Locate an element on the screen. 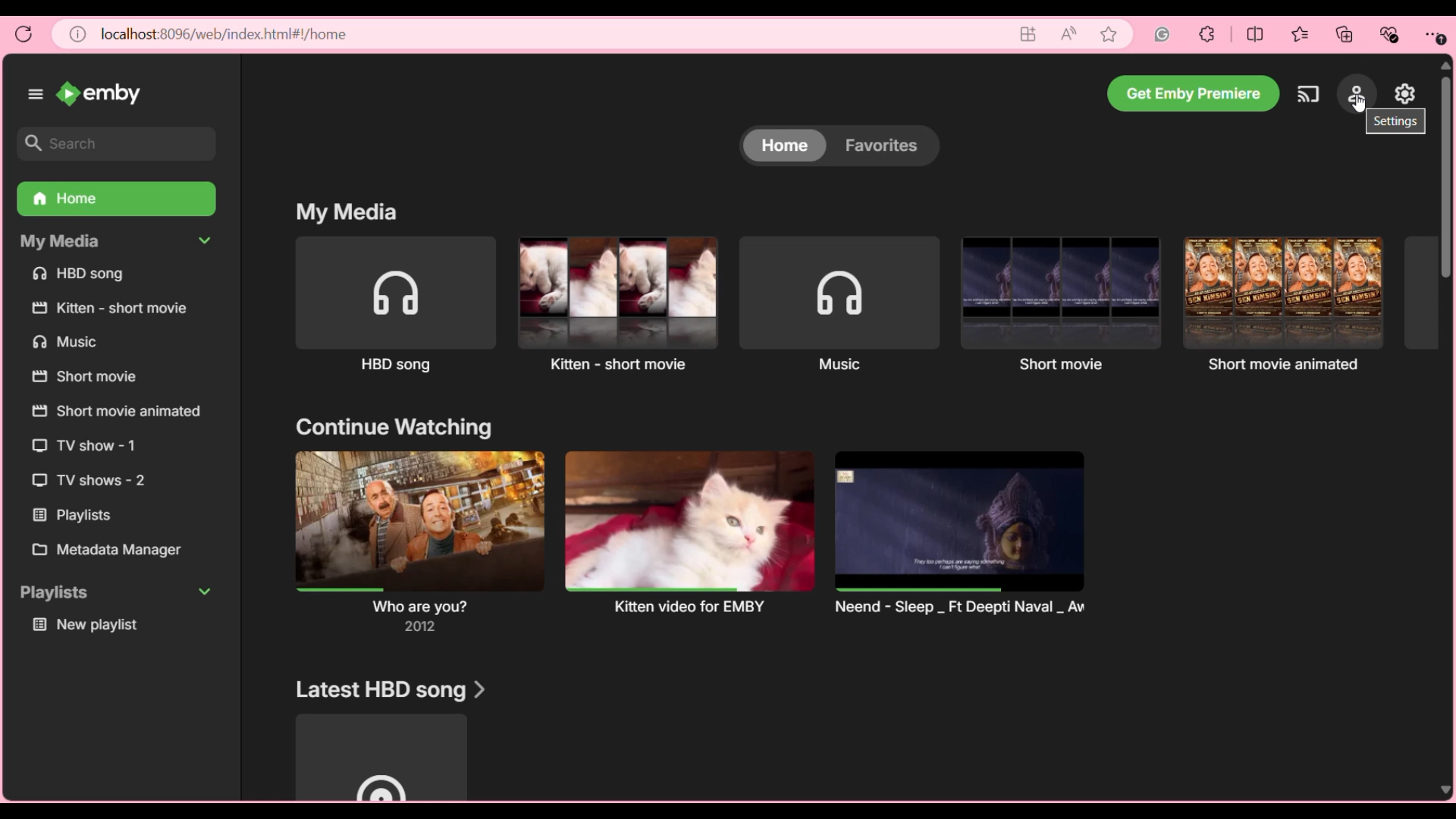 The width and height of the screenshot is (1456, 819). TV shows-2 is located at coordinates (89, 482).